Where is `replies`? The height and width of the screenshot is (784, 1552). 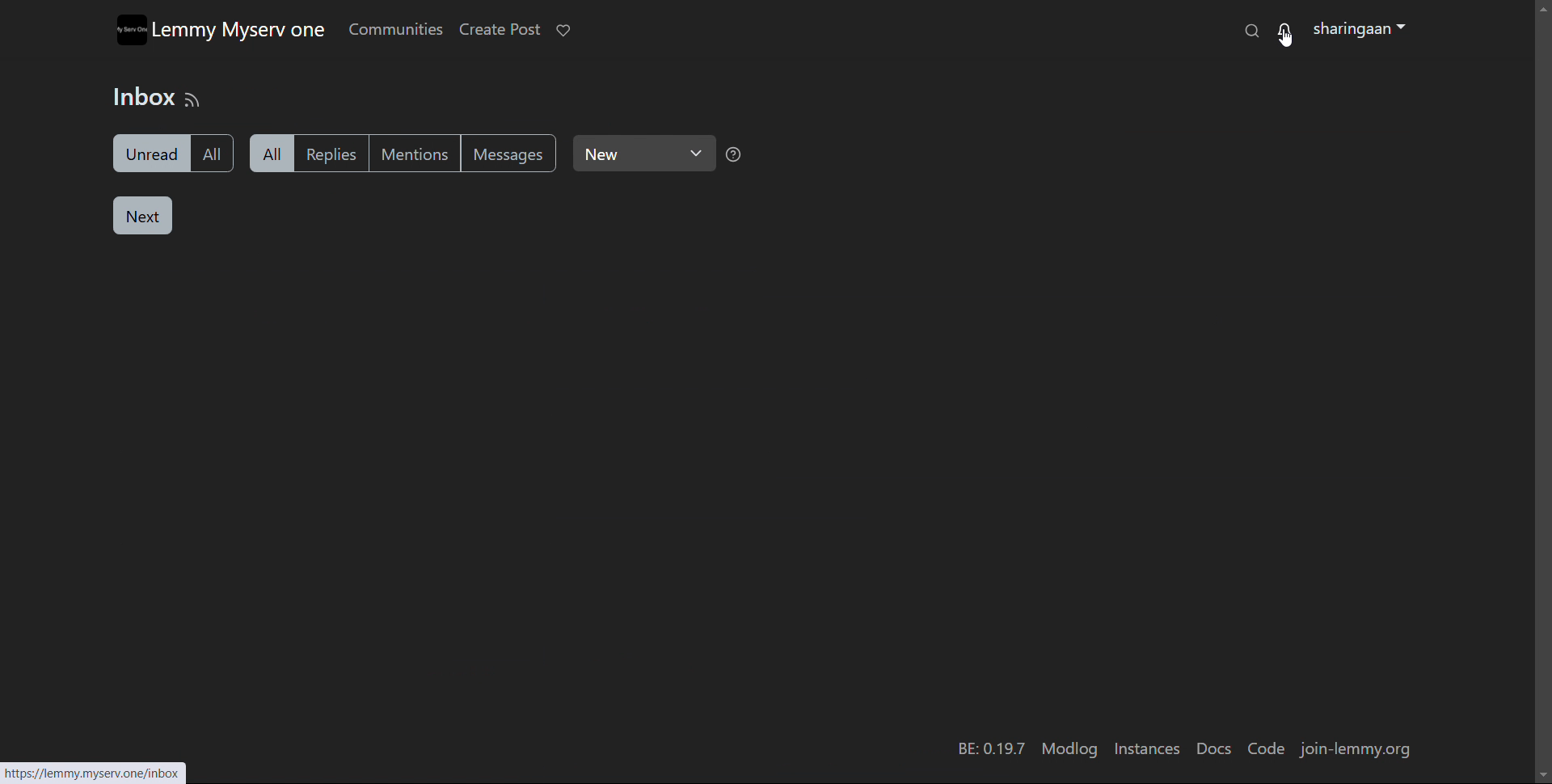
replies is located at coordinates (339, 153).